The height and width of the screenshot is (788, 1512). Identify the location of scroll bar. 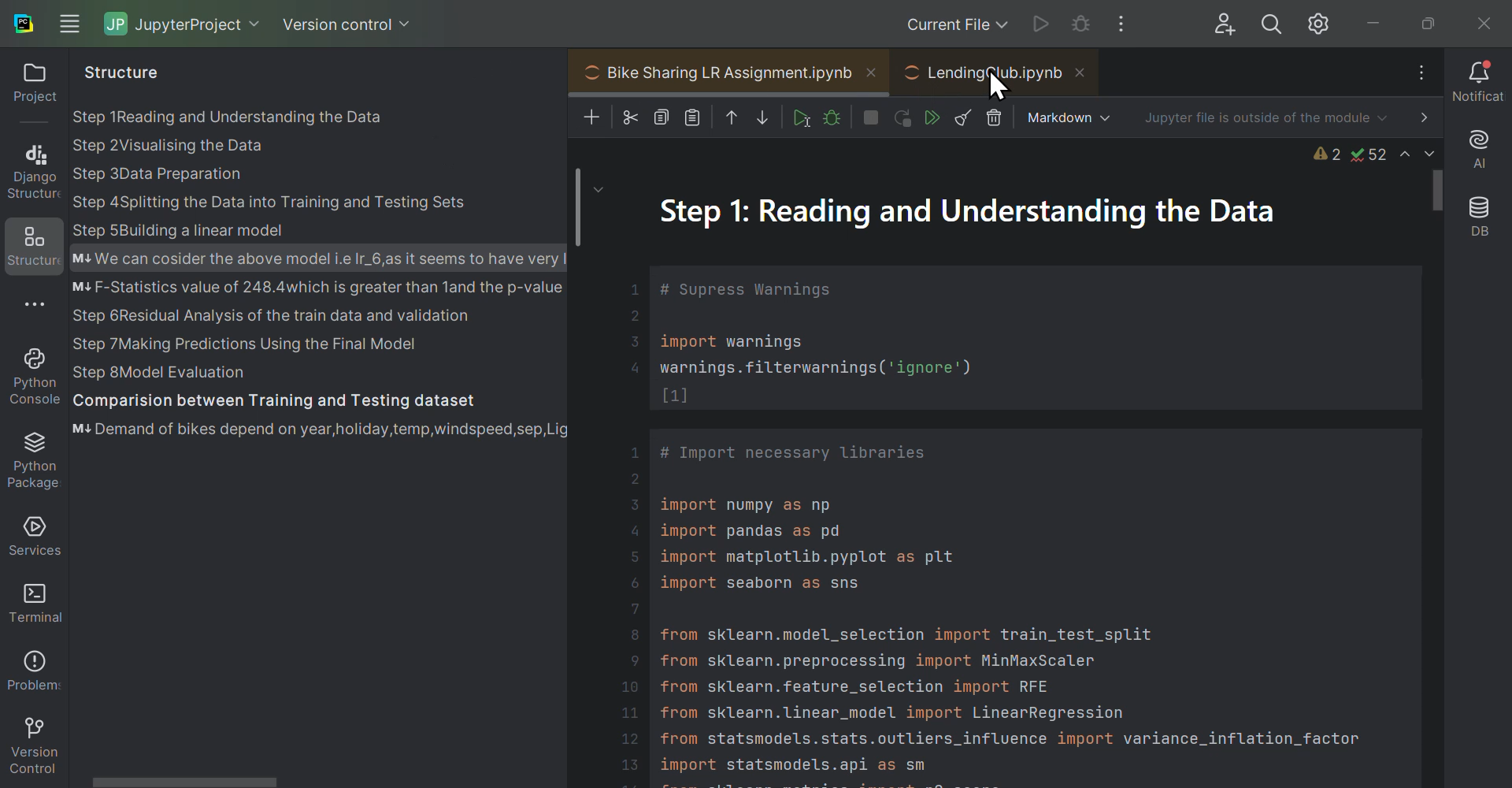
(183, 780).